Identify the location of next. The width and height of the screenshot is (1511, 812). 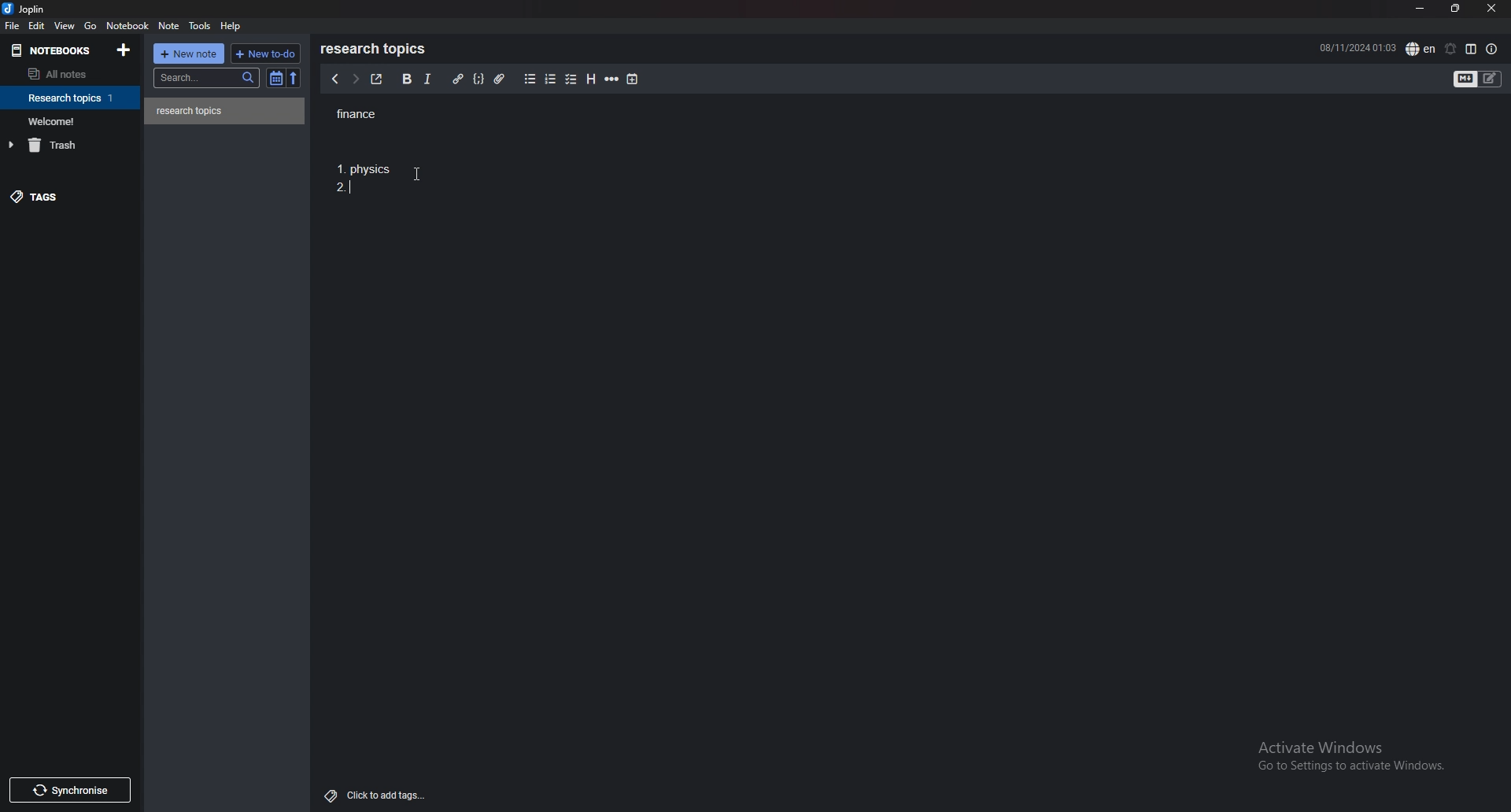
(353, 80).